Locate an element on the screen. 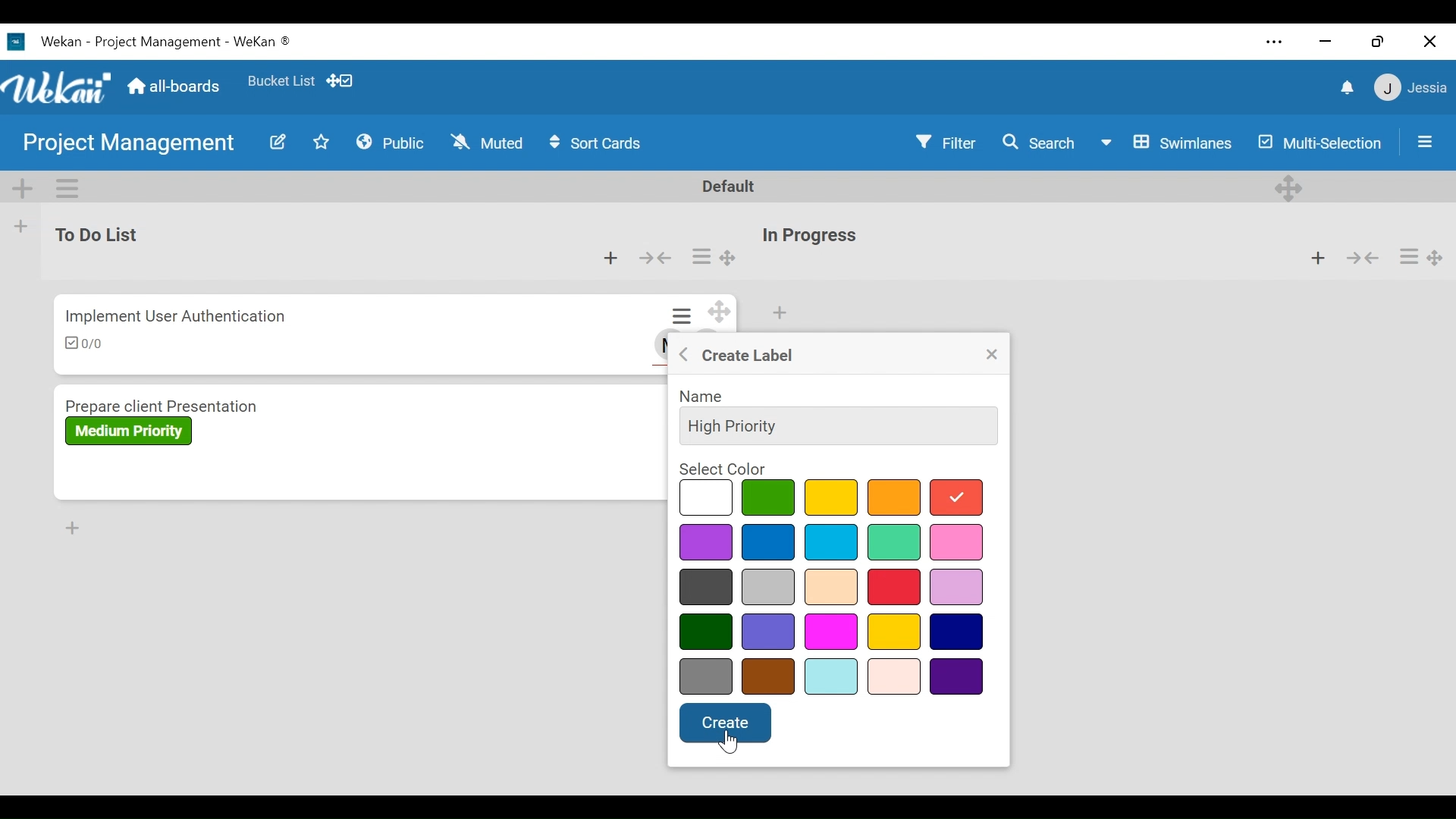  Swimlane actions is located at coordinates (69, 186).